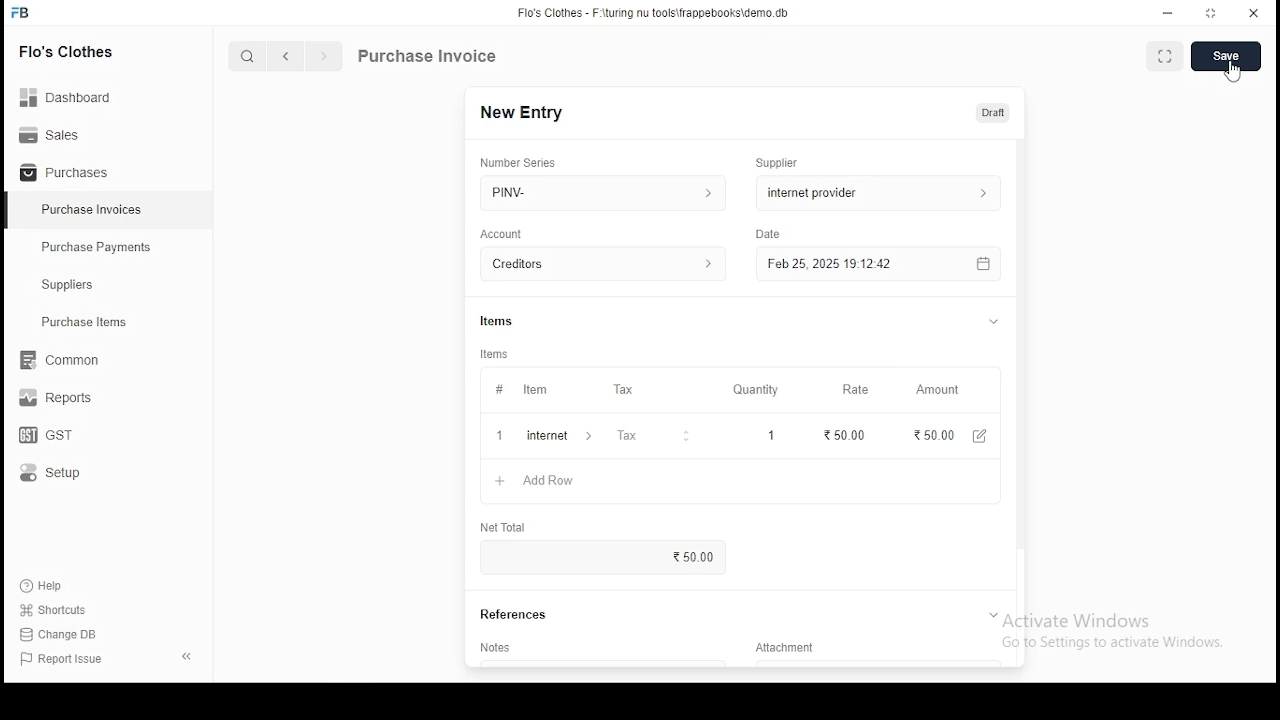 This screenshot has width=1280, height=720. Describe the element at coordinates (95, 210) in the screenshot. I see `Purchase Invoices` at that location.